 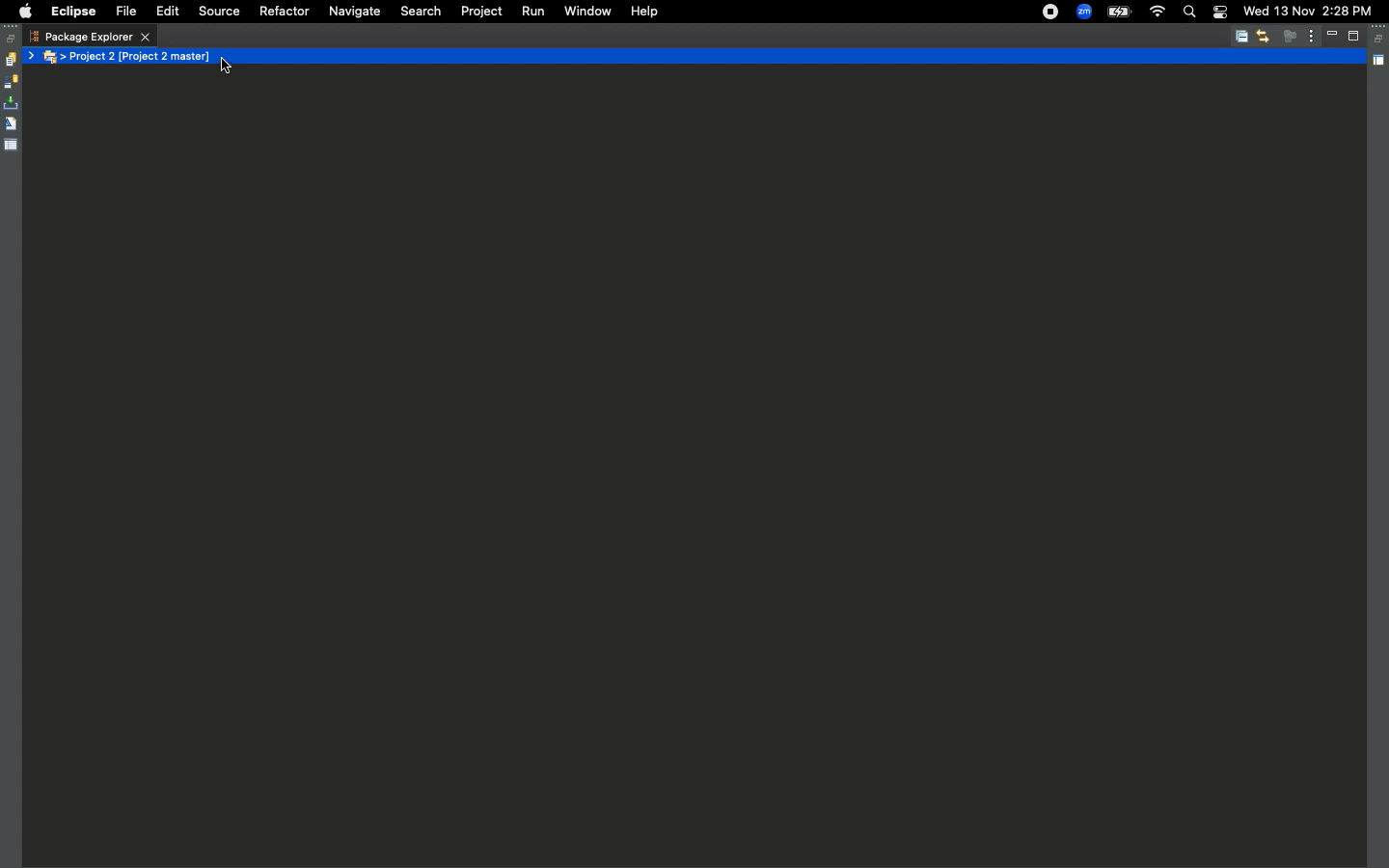 What do you see at coordinates (1312, 35) in the screenshot?
I see `View menu` at bounding box center [1312, 35].